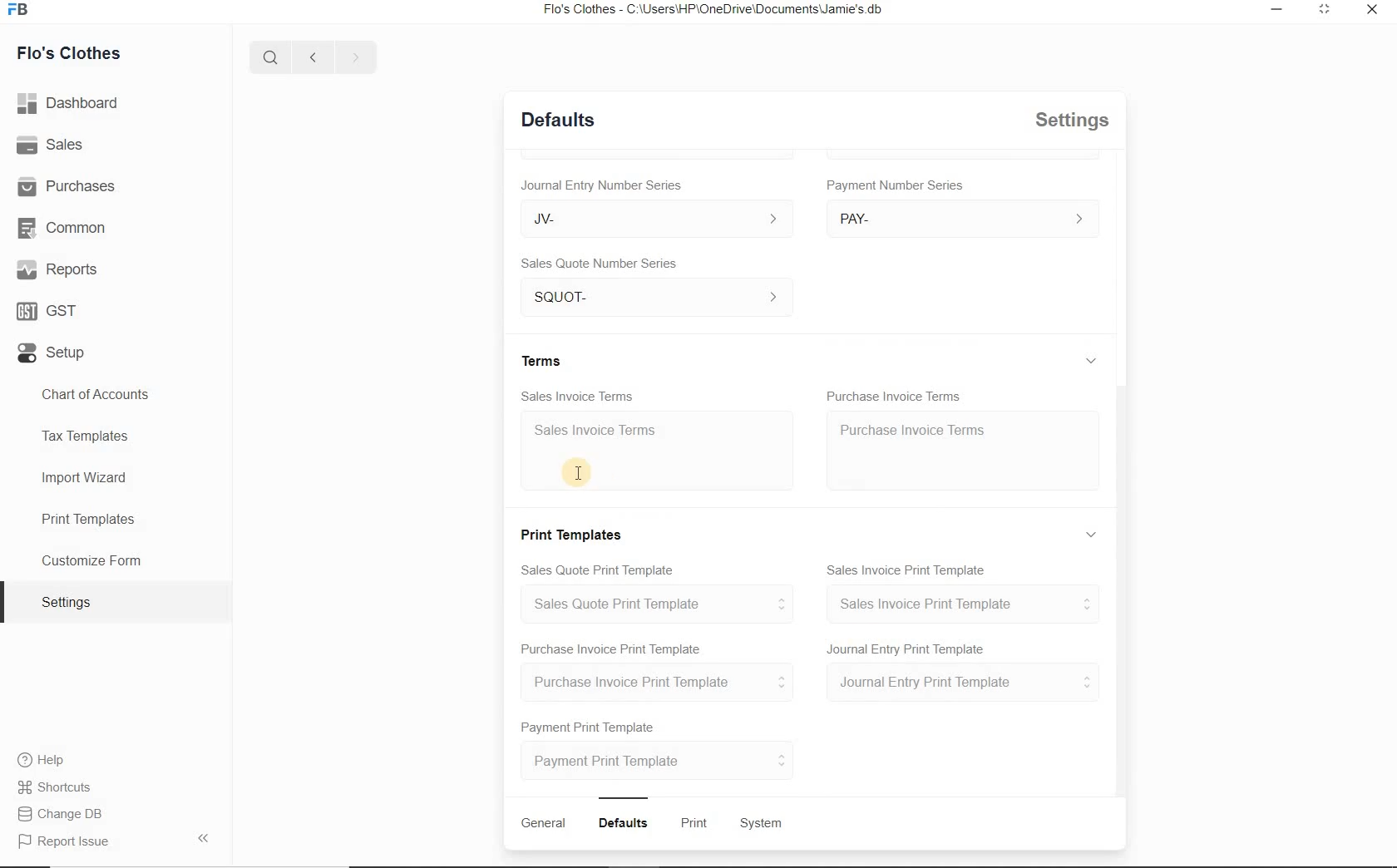  I want to click on Sales, so click(50, 144).